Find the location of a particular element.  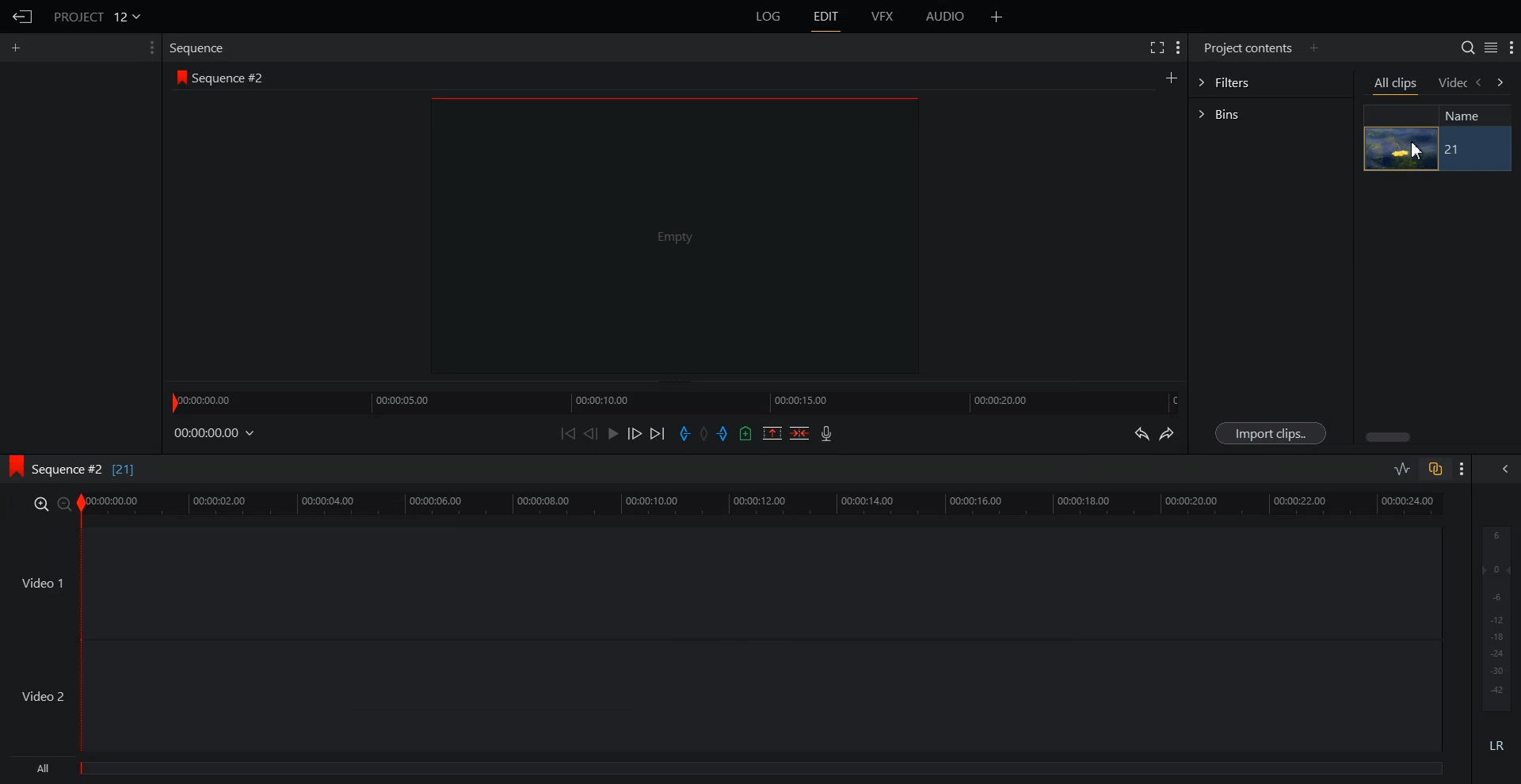

Show All audio menu is located at coordinates (1504, 469).